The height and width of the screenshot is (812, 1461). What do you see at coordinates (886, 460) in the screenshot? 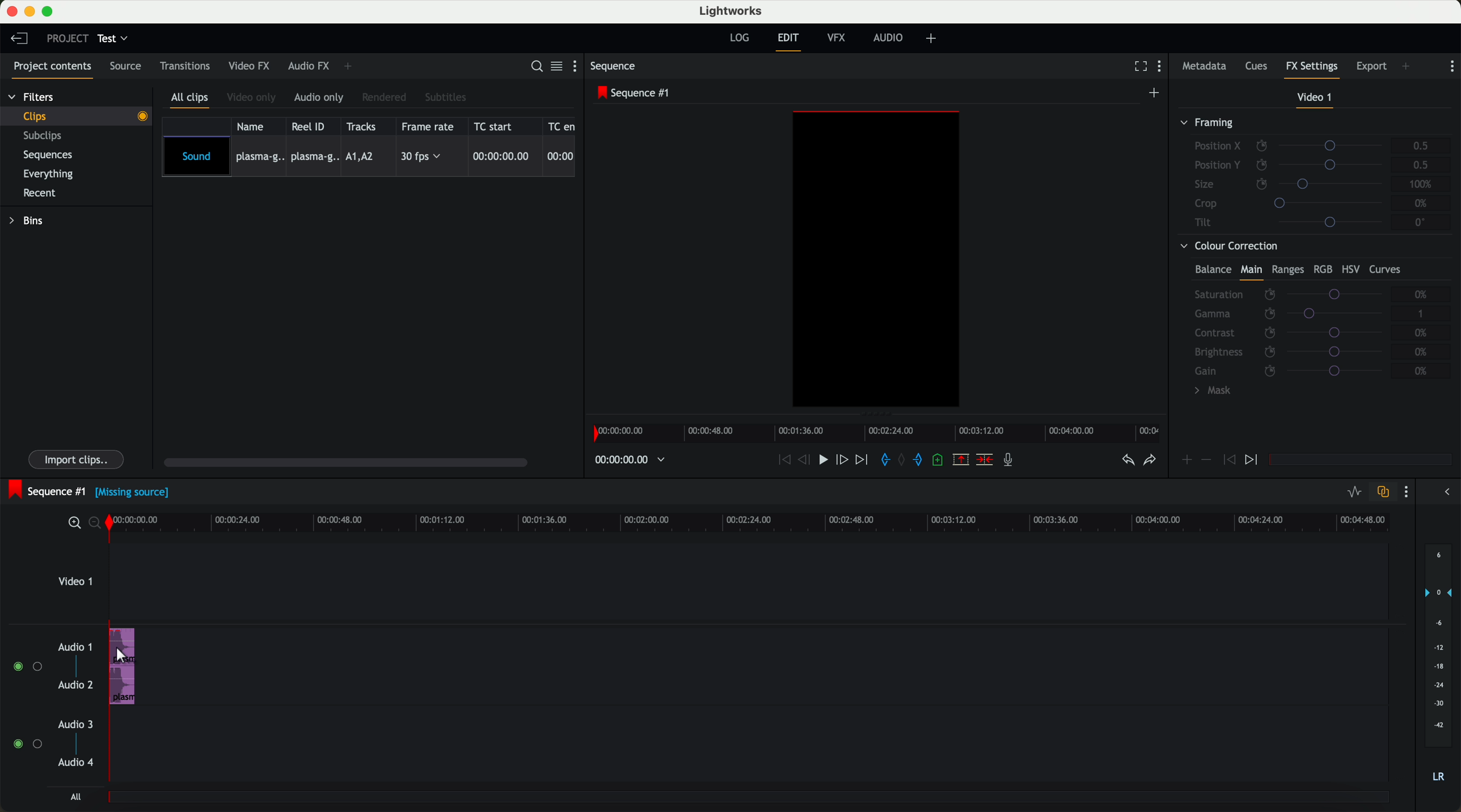
I see `add in mark` at bounding box center [886, 460].